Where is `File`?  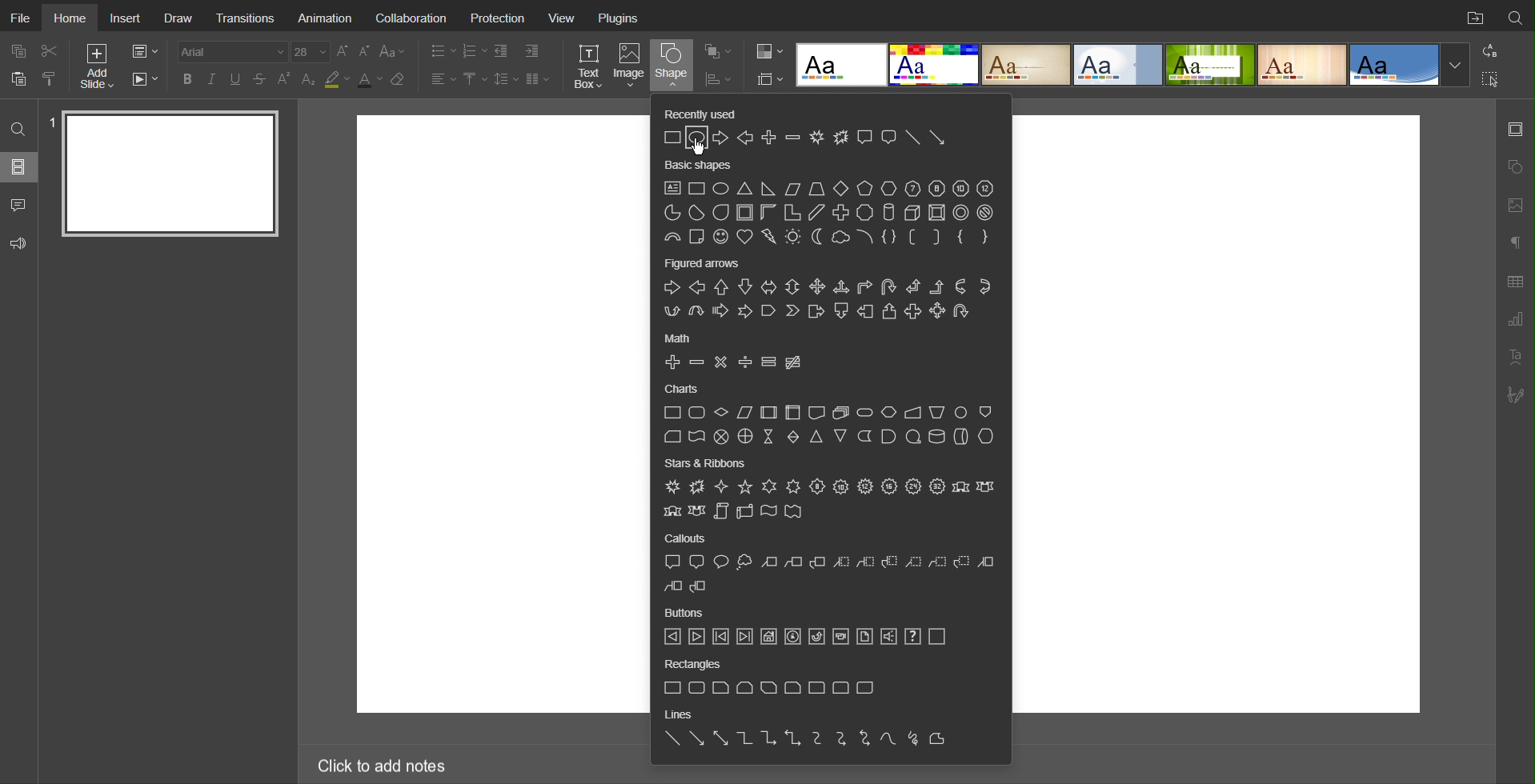 File is located at coordinates (19, 15).